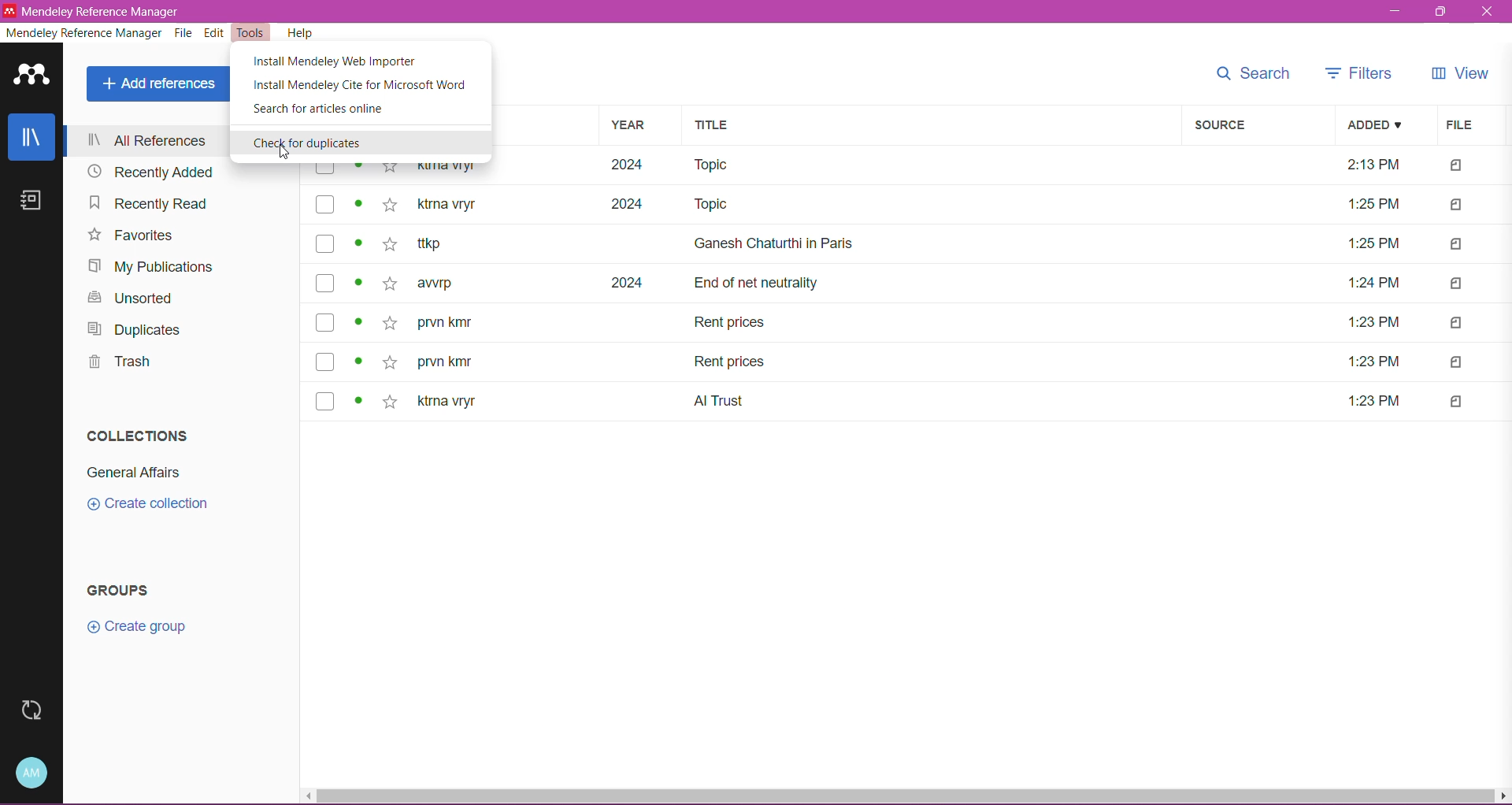 The height and width of the screenshot is (805, 1512). I want to click on file, so click(1371, 323).